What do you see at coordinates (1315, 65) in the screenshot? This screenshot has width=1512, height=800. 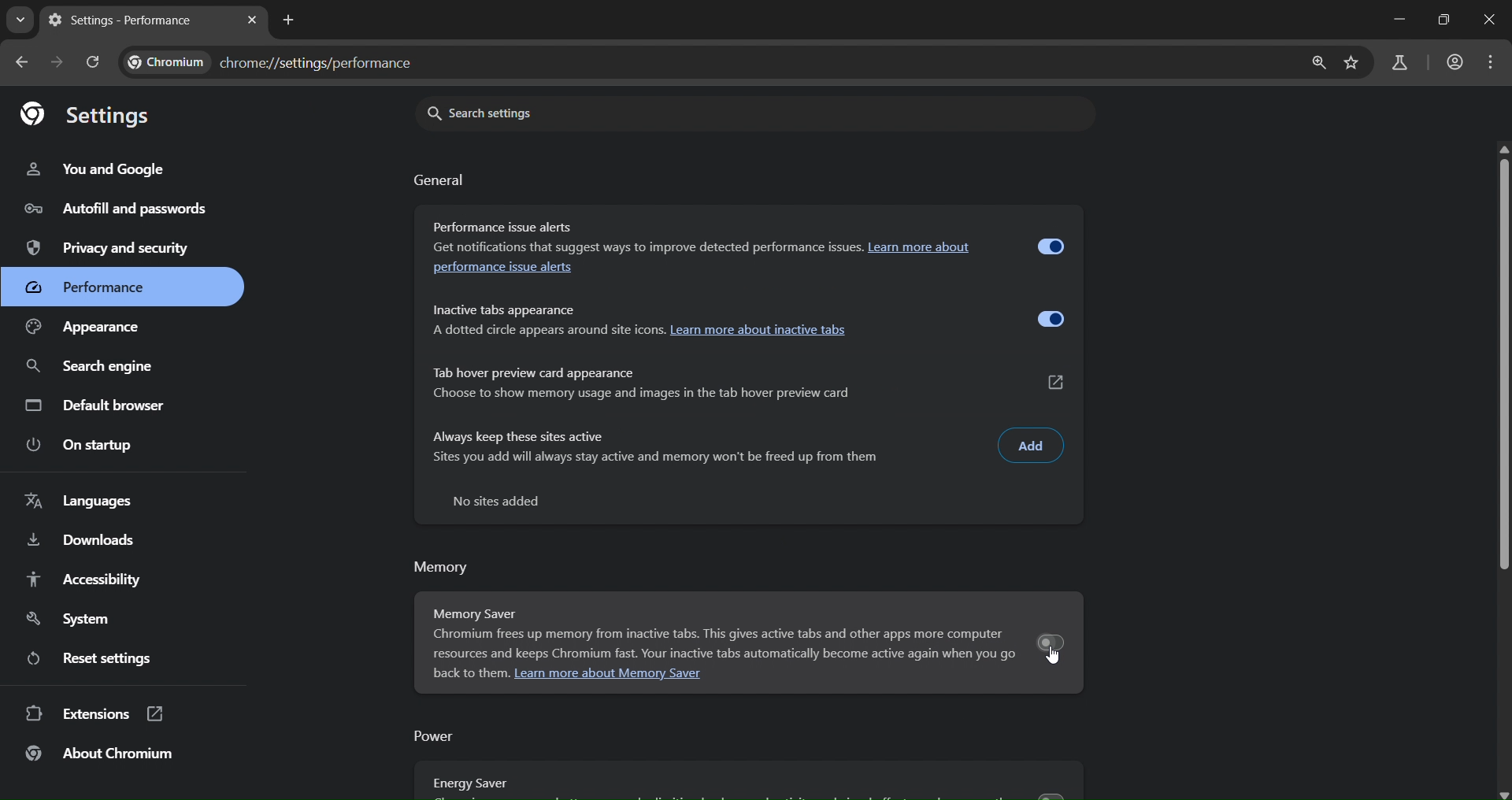 I see `zoom` at bounding box center [1315, 65].